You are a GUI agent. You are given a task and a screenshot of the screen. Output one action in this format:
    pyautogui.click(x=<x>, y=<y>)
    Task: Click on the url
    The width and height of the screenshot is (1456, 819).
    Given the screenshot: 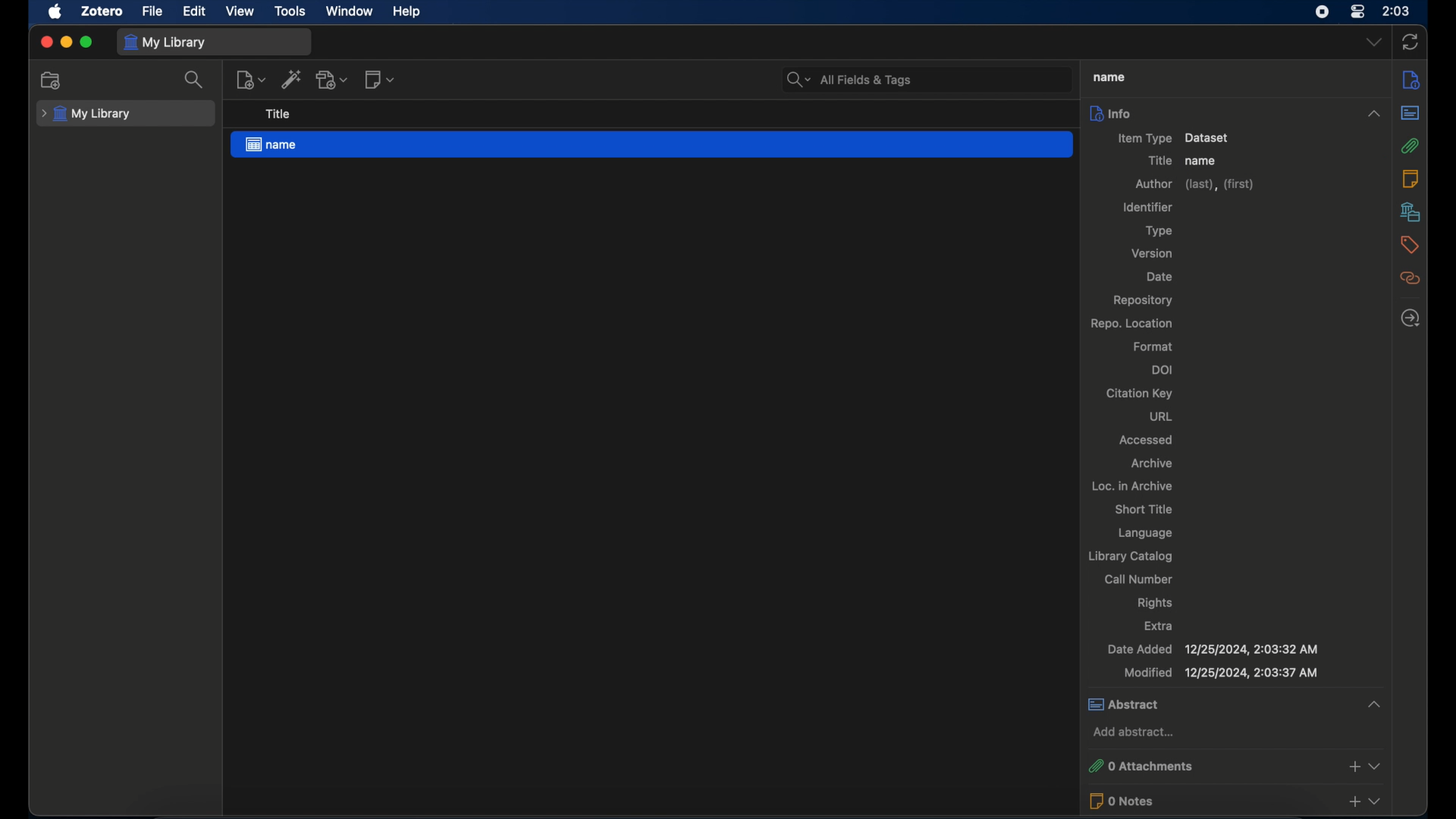 What is the action you would take?
    pyautogui.click(x=1160, y=416)
    